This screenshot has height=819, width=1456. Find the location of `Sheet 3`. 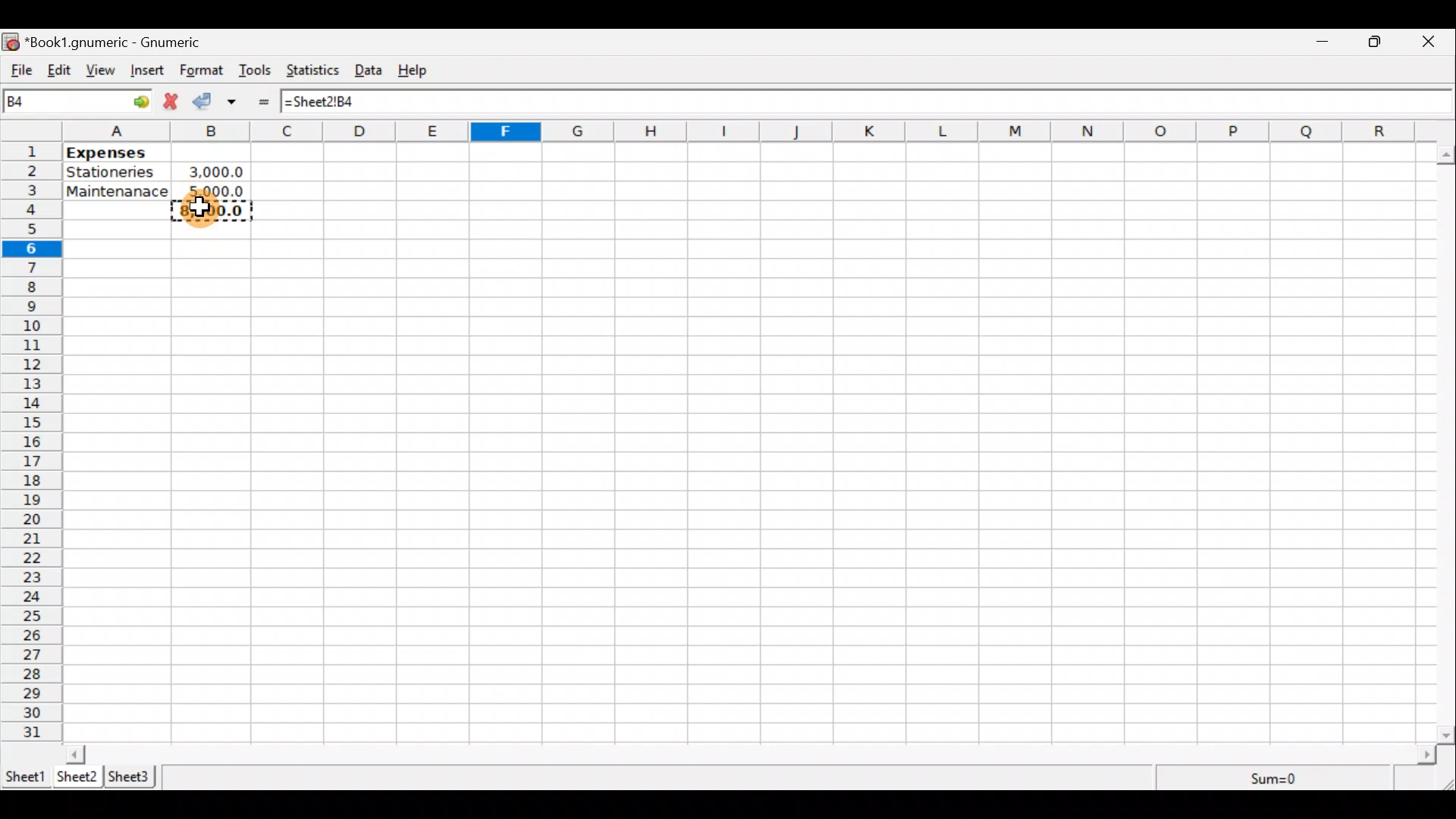

Sheet 3 is located at coordinates (133, 777).